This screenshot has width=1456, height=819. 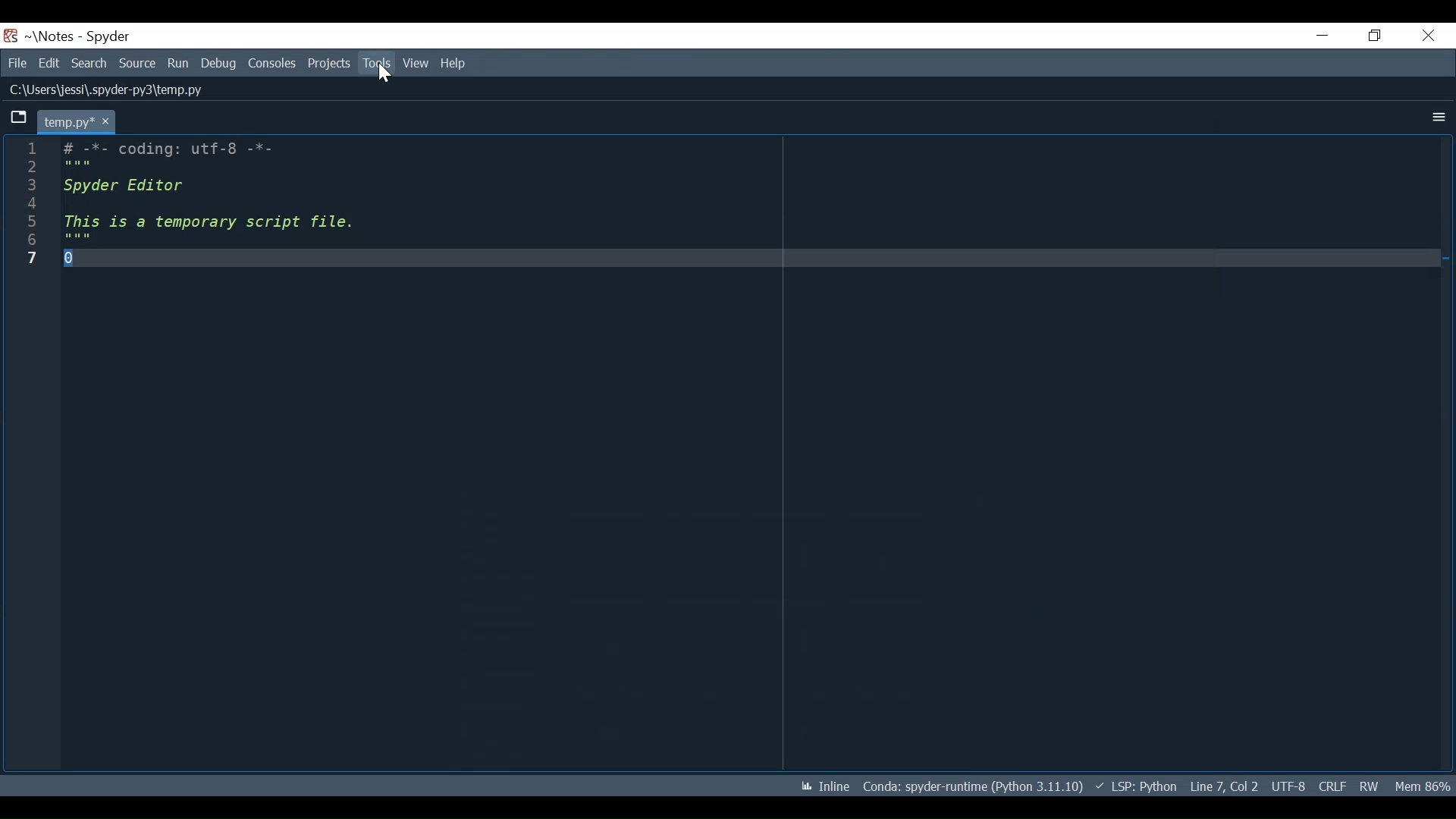 What do you see at coordinates (1374, 786) in the screenshot?
I see `File Permission` at bounding box center [1374, 786].